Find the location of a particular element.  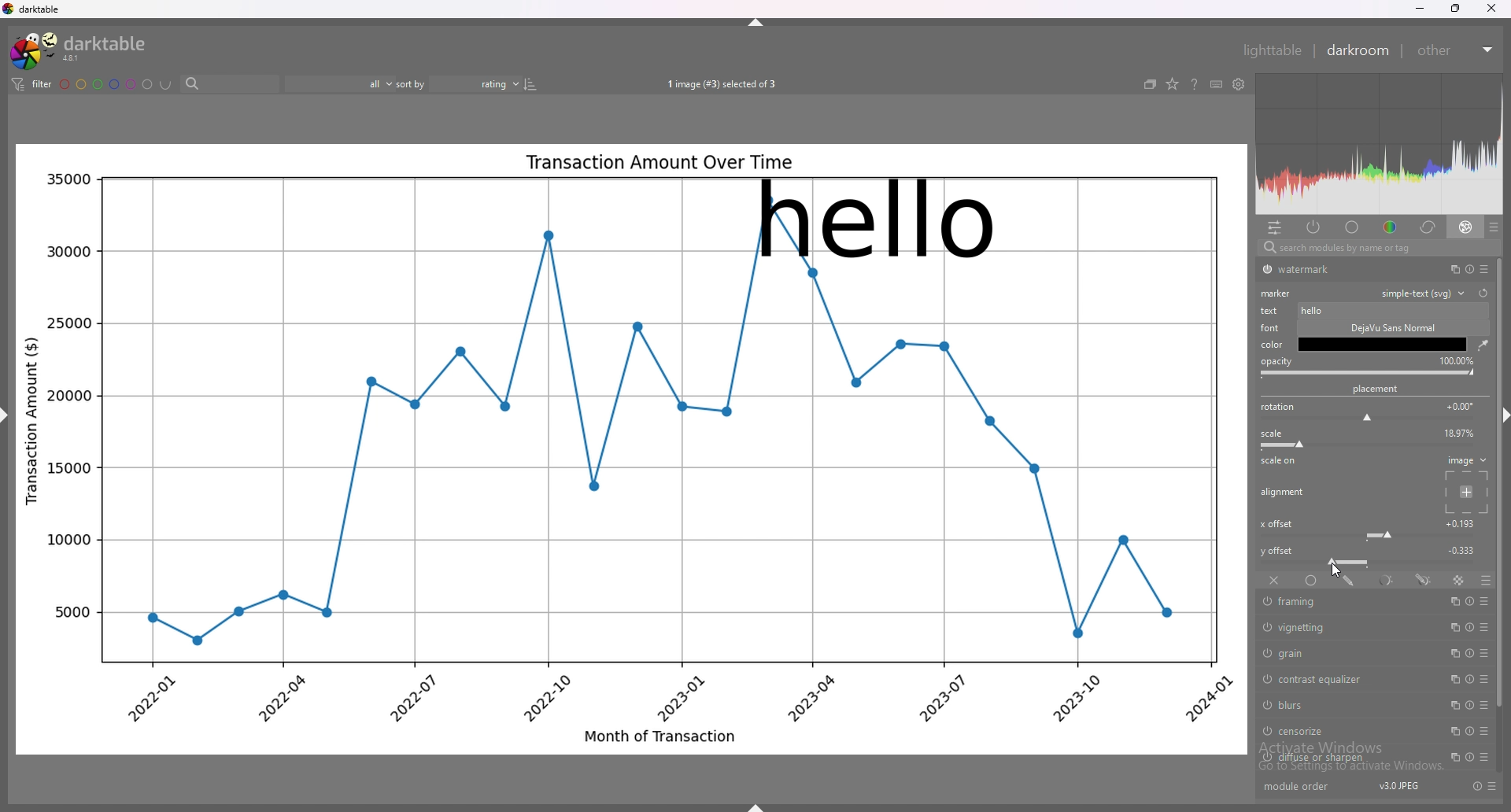

reset is located at coordinates (1483, 293).